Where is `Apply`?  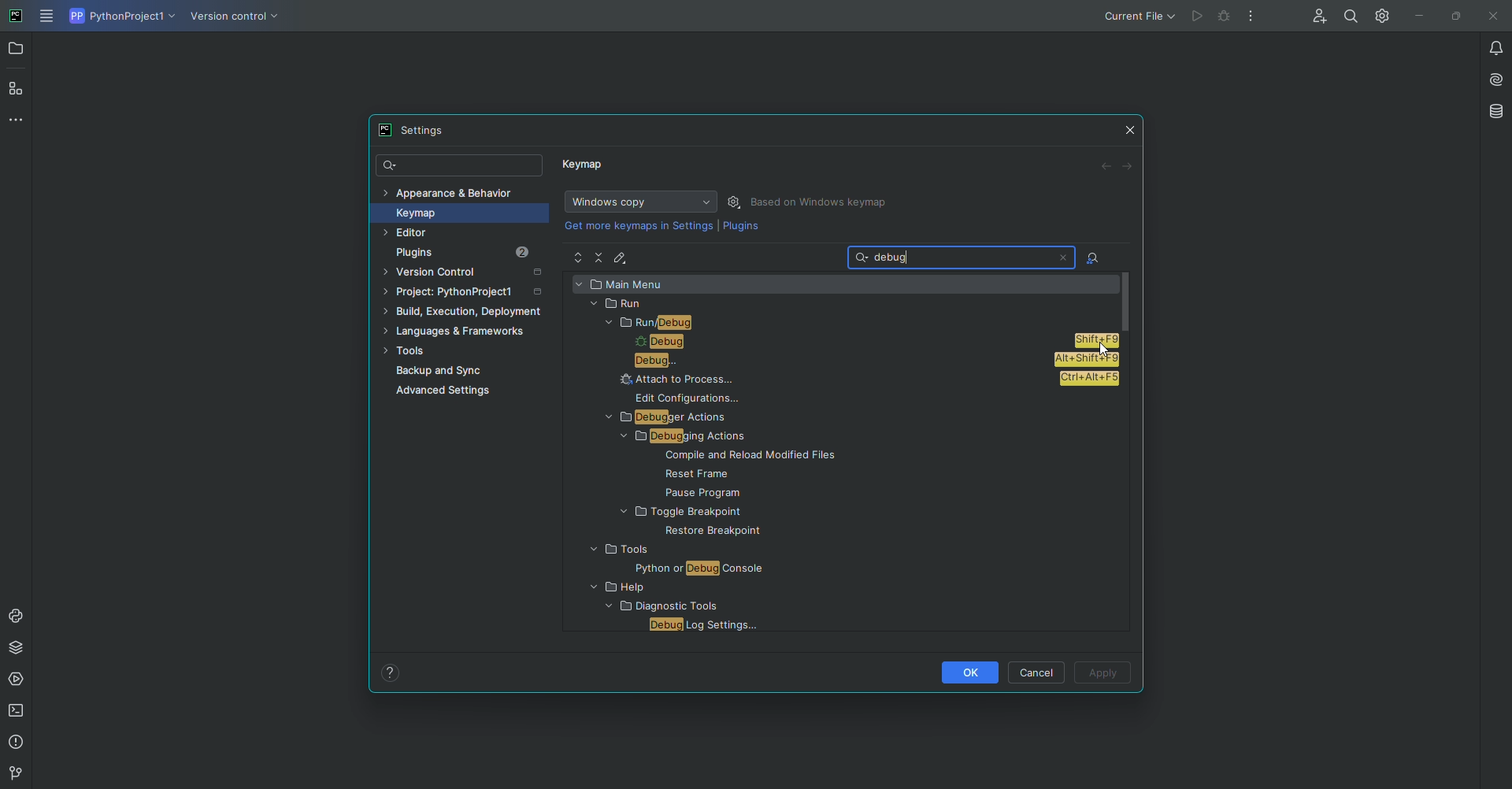
Apply is located at coordinates (1104, 674).